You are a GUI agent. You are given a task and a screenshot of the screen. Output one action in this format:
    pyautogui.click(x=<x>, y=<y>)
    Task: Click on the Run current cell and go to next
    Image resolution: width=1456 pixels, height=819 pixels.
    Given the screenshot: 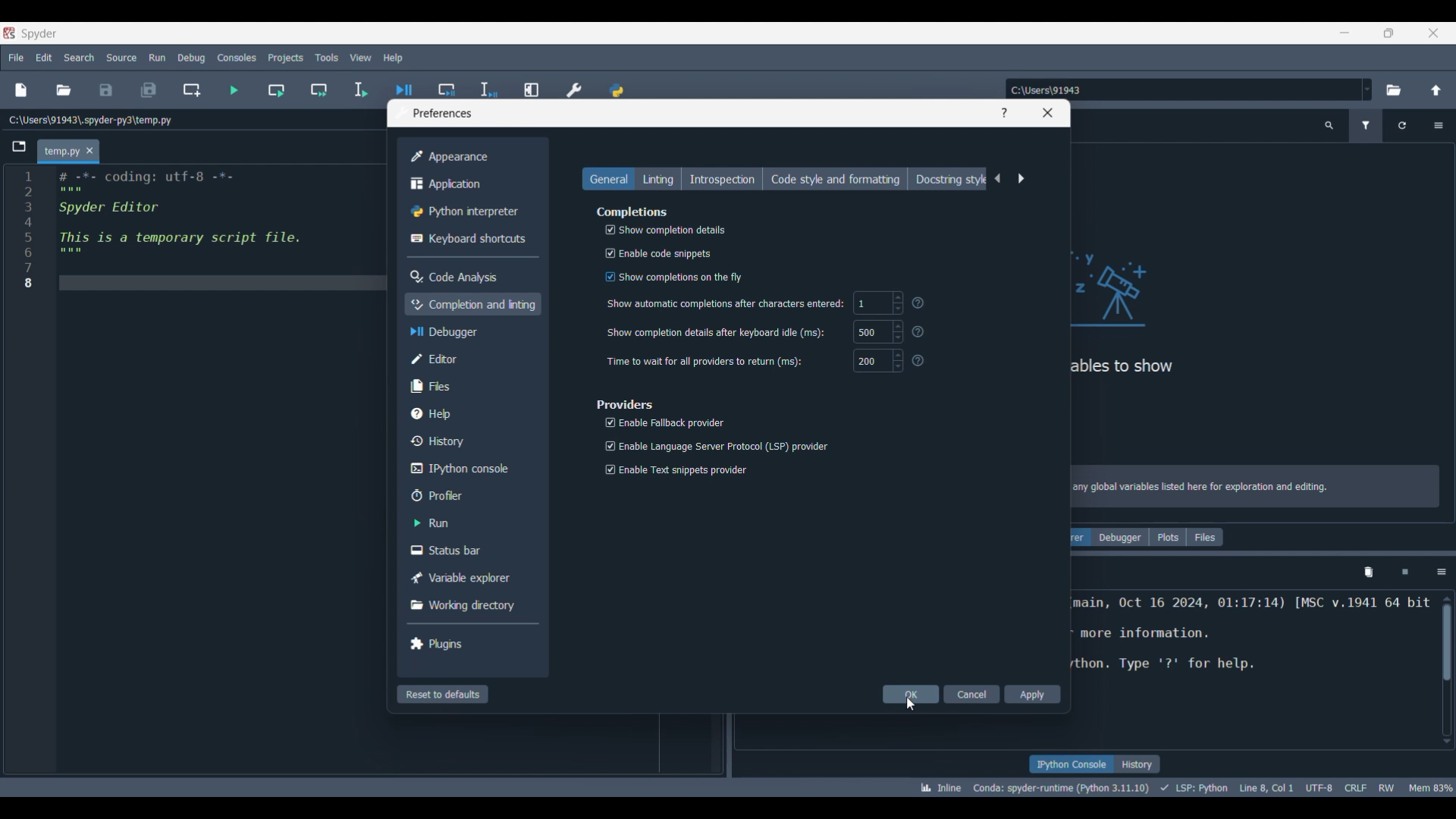 What is the action you would take?
    pyautogui.click(x=319, y=90)
    